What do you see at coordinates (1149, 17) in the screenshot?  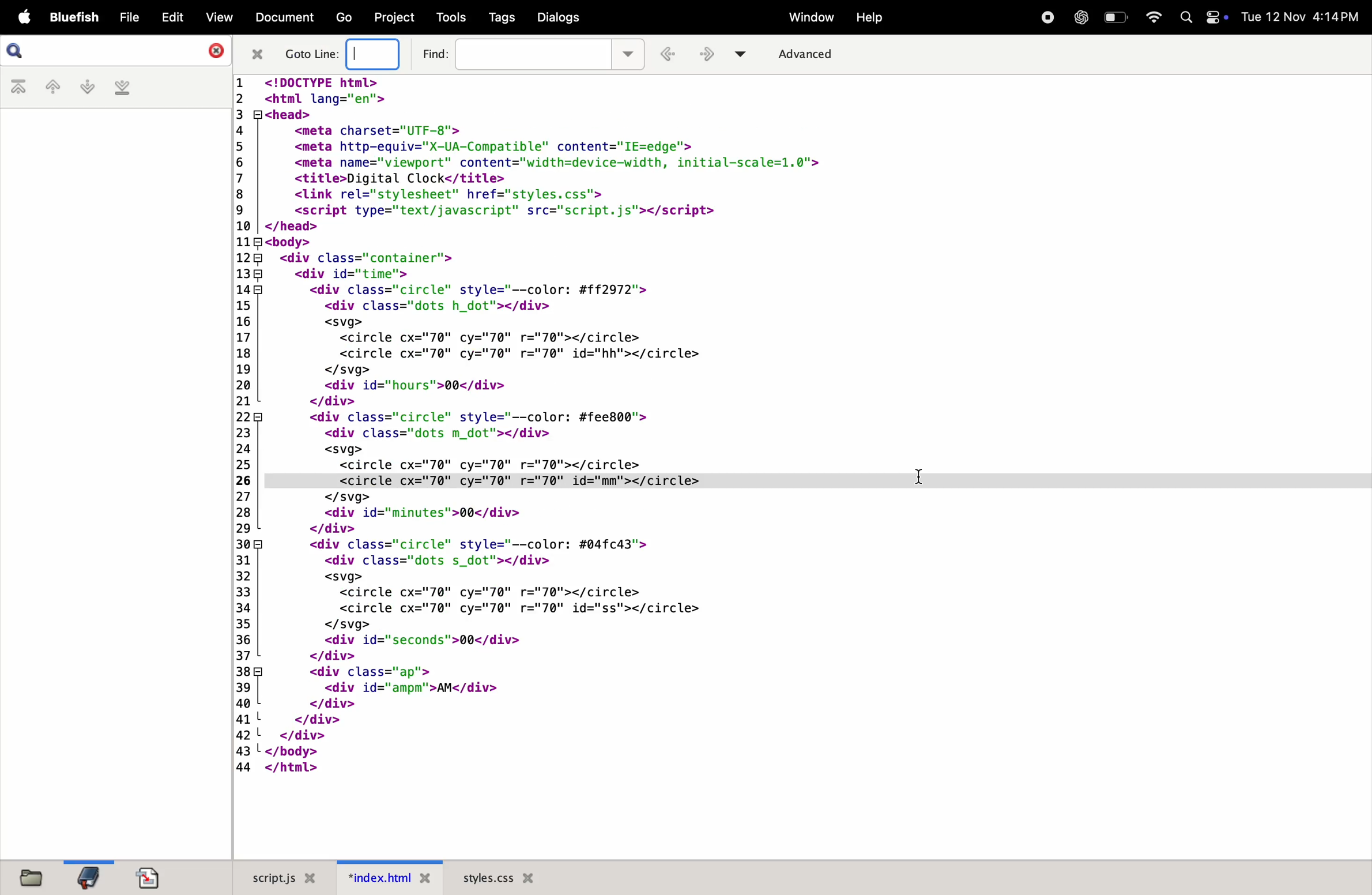 I see `wifi` at bounding box center [1149, 17].